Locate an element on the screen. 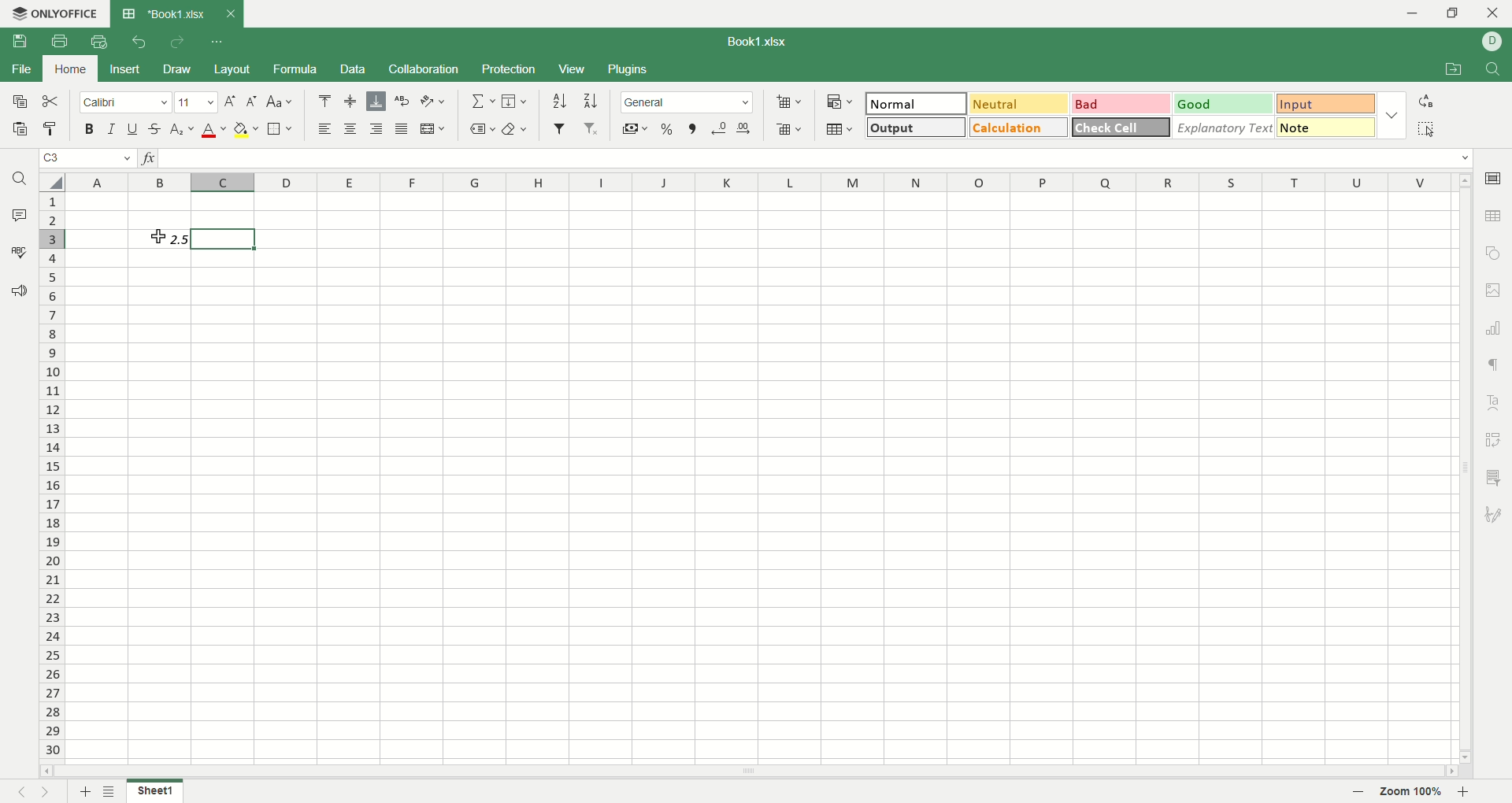  bad is located at coordinates (1122, 105).